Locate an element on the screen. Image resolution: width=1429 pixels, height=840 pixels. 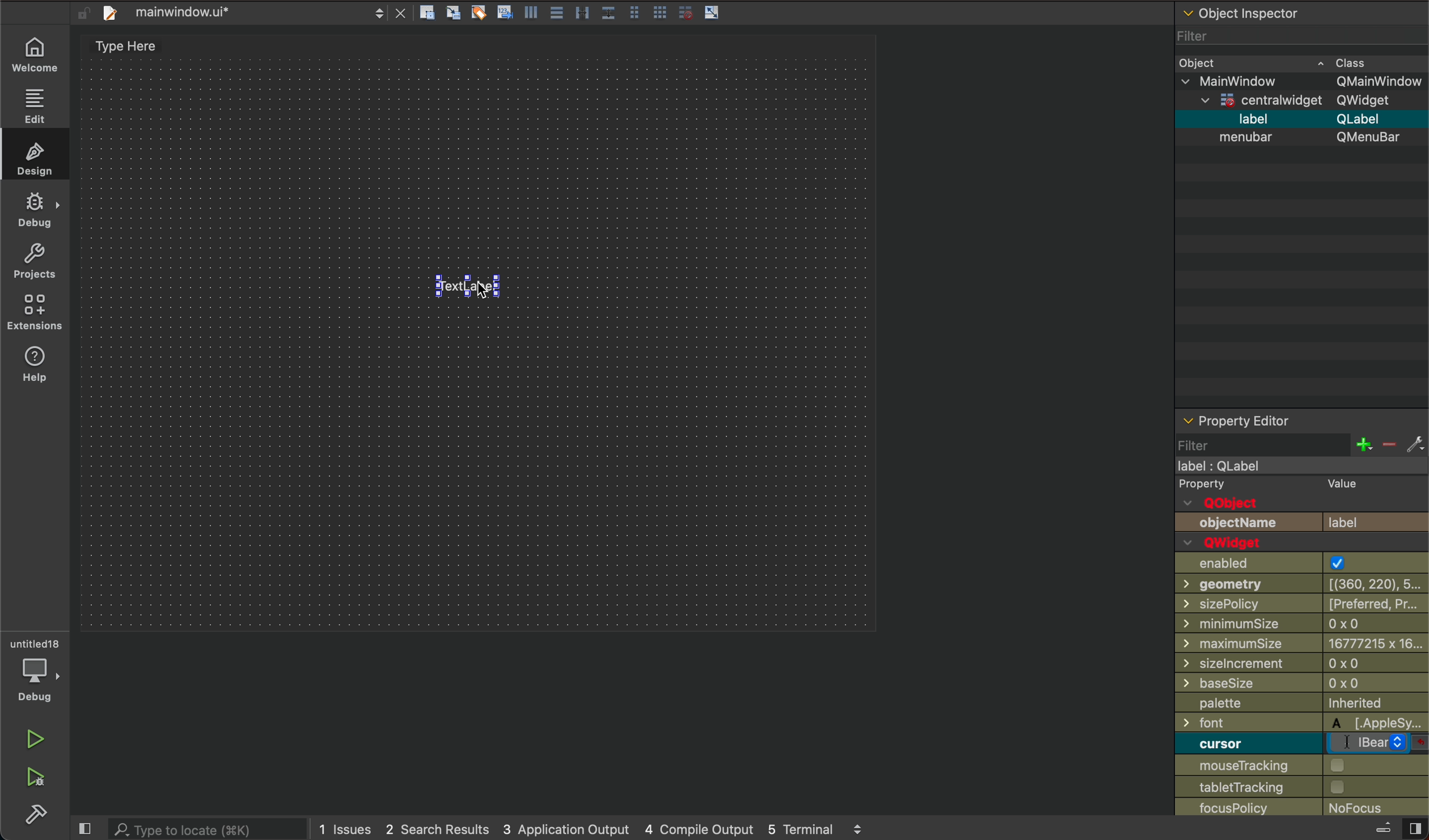
cass is located at coordinates (1359, 60).